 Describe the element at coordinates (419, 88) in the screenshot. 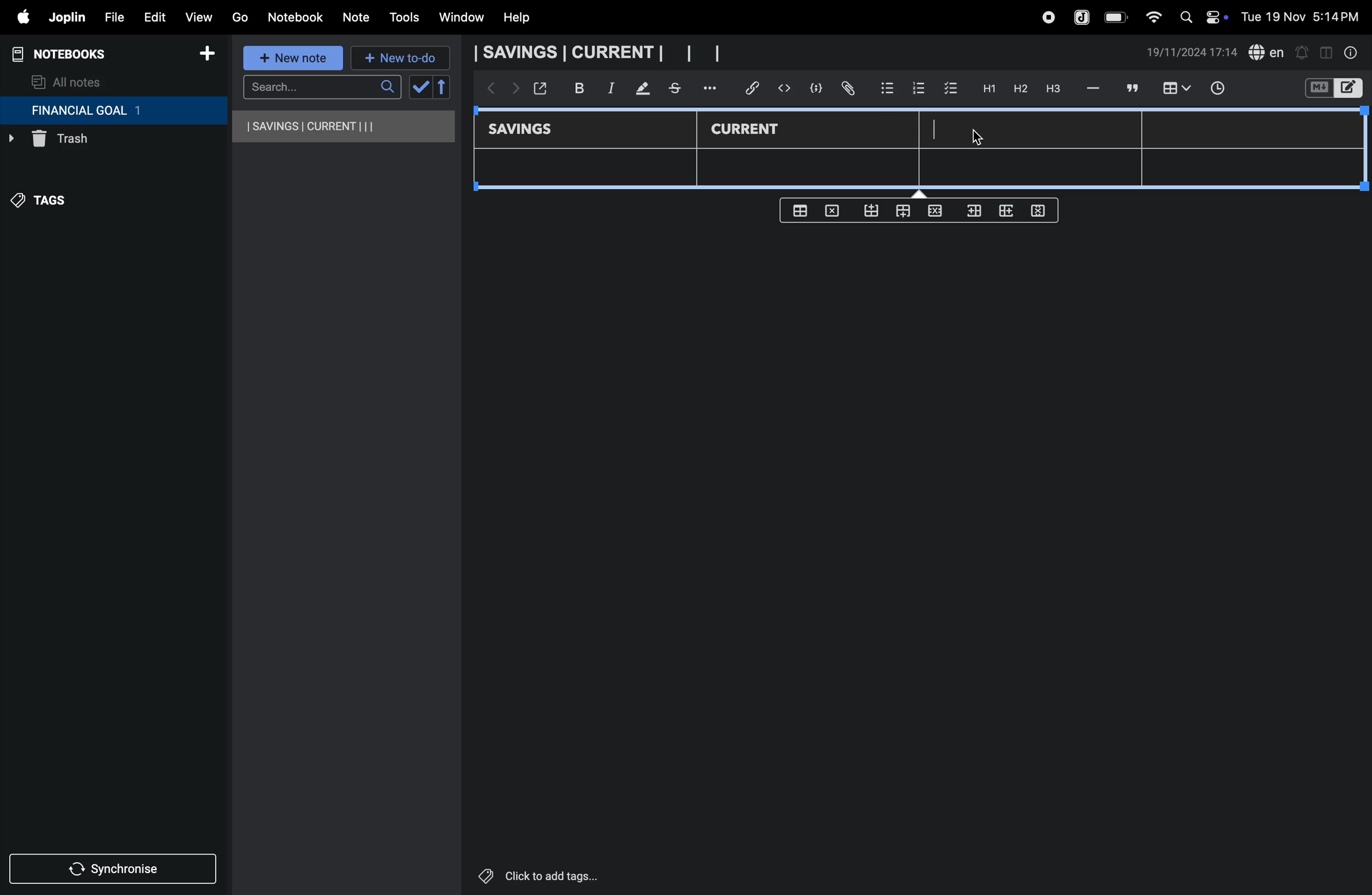

I see `check` at that location.